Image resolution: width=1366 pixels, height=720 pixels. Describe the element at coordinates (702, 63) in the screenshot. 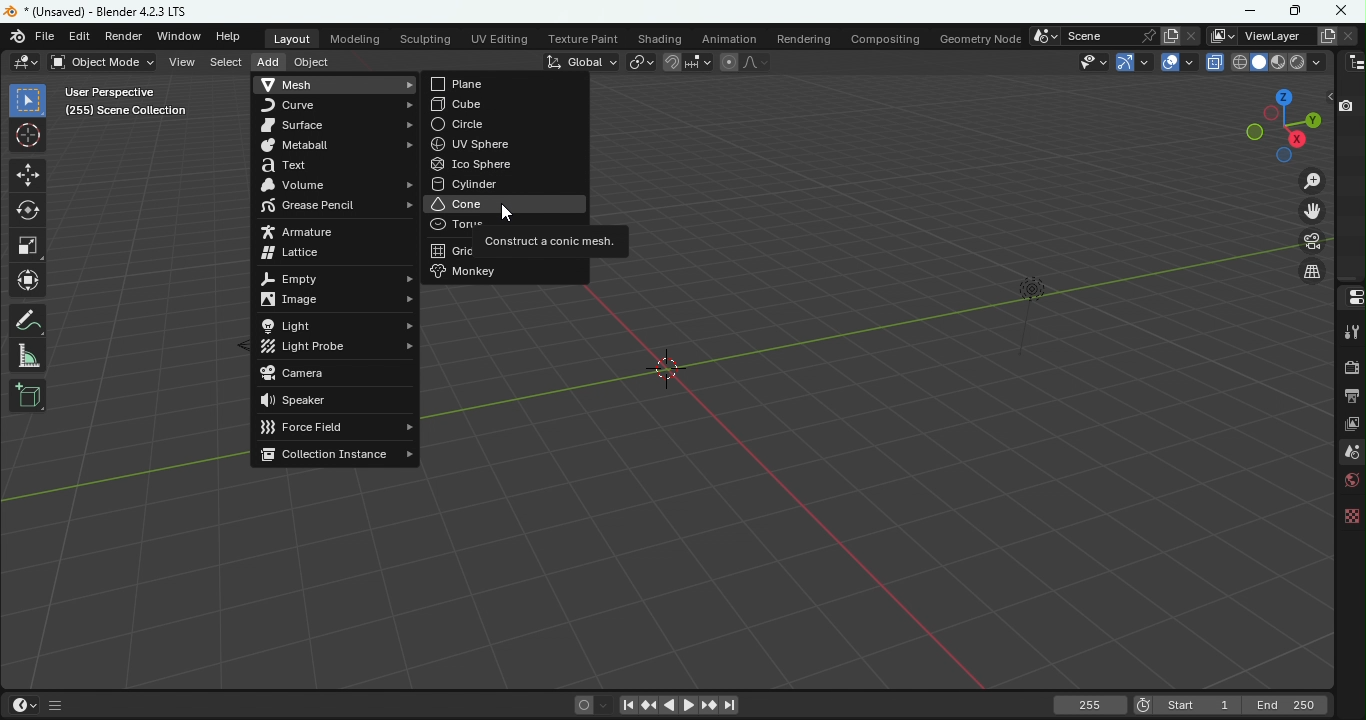

I see `Snapping` at that location.